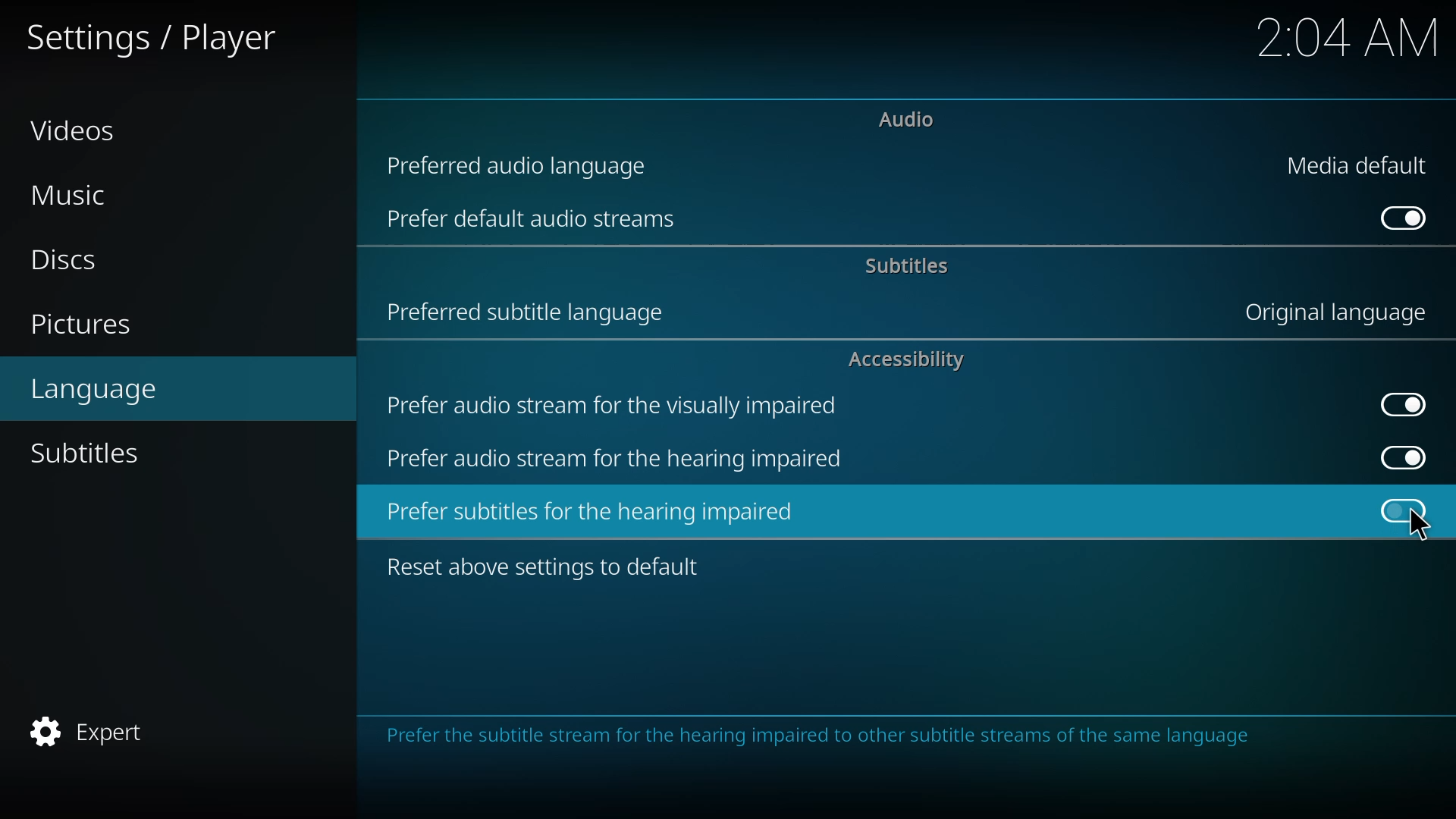 The height and width of the screenshot is (819, 1456). What do you see at coordinates (1345, 36) in the screenshot?
I see `time` at bounding box center [1345, 36].